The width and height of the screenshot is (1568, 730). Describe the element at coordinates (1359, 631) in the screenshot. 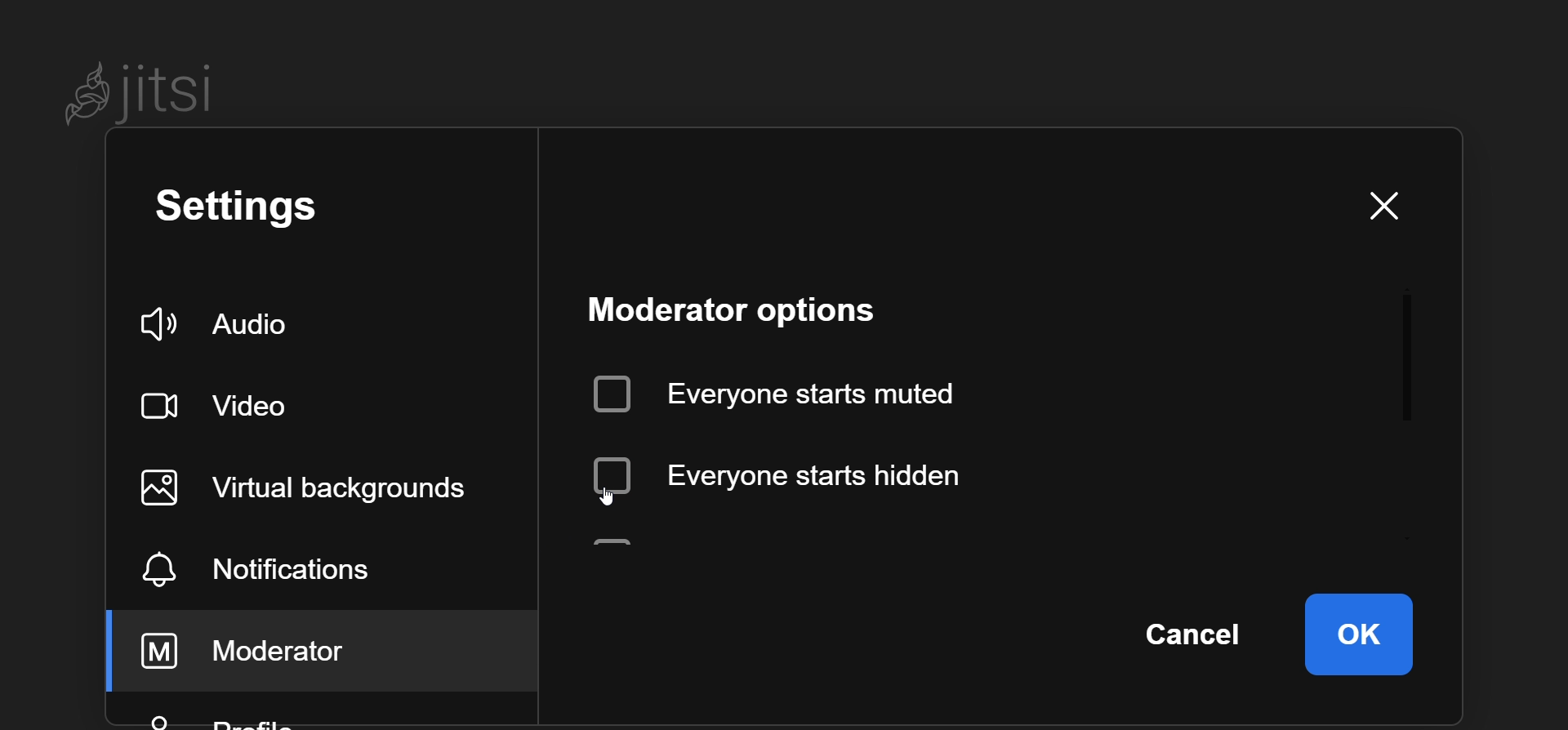

I see `ok` at that location.